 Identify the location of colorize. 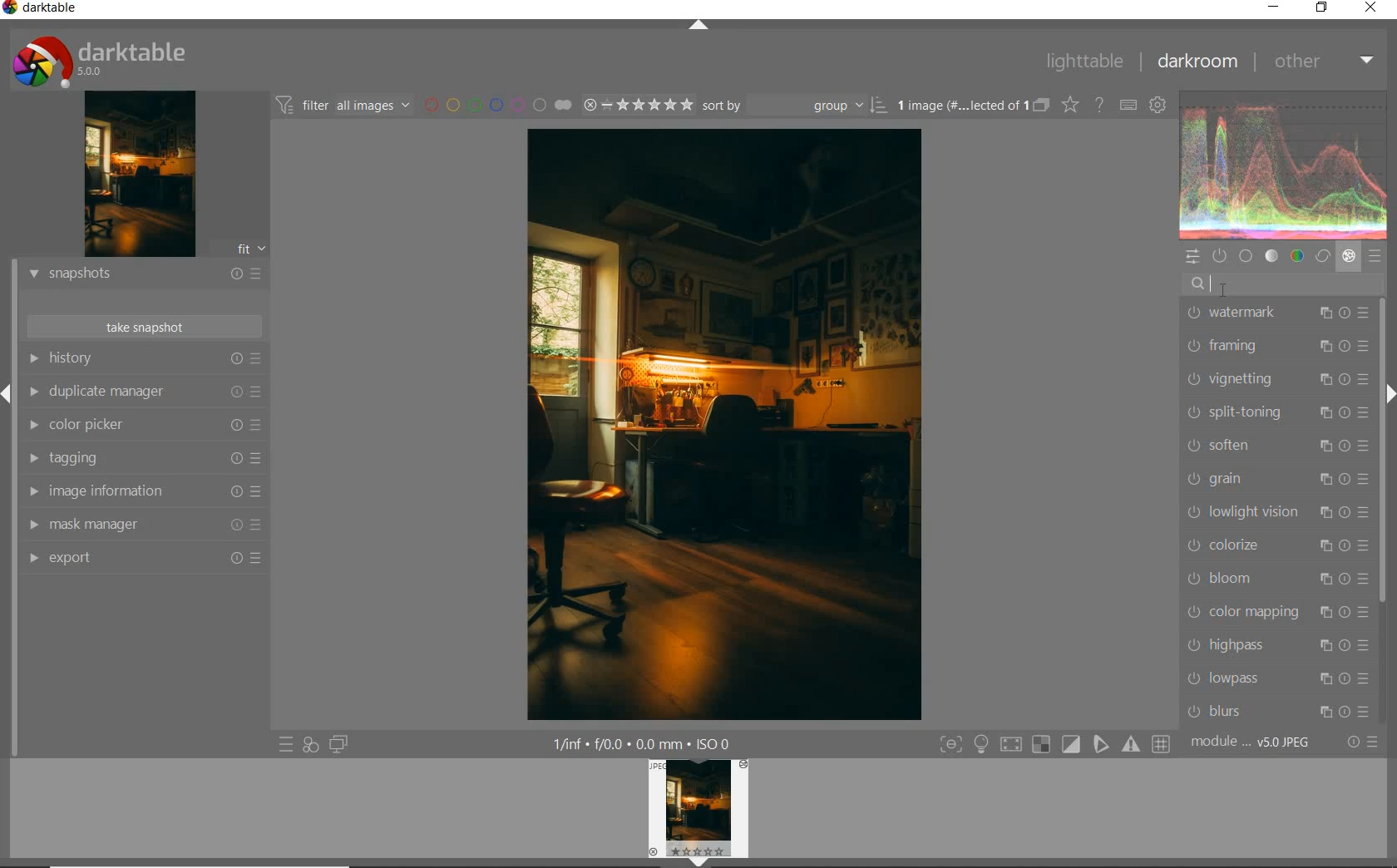
(1275, 545).